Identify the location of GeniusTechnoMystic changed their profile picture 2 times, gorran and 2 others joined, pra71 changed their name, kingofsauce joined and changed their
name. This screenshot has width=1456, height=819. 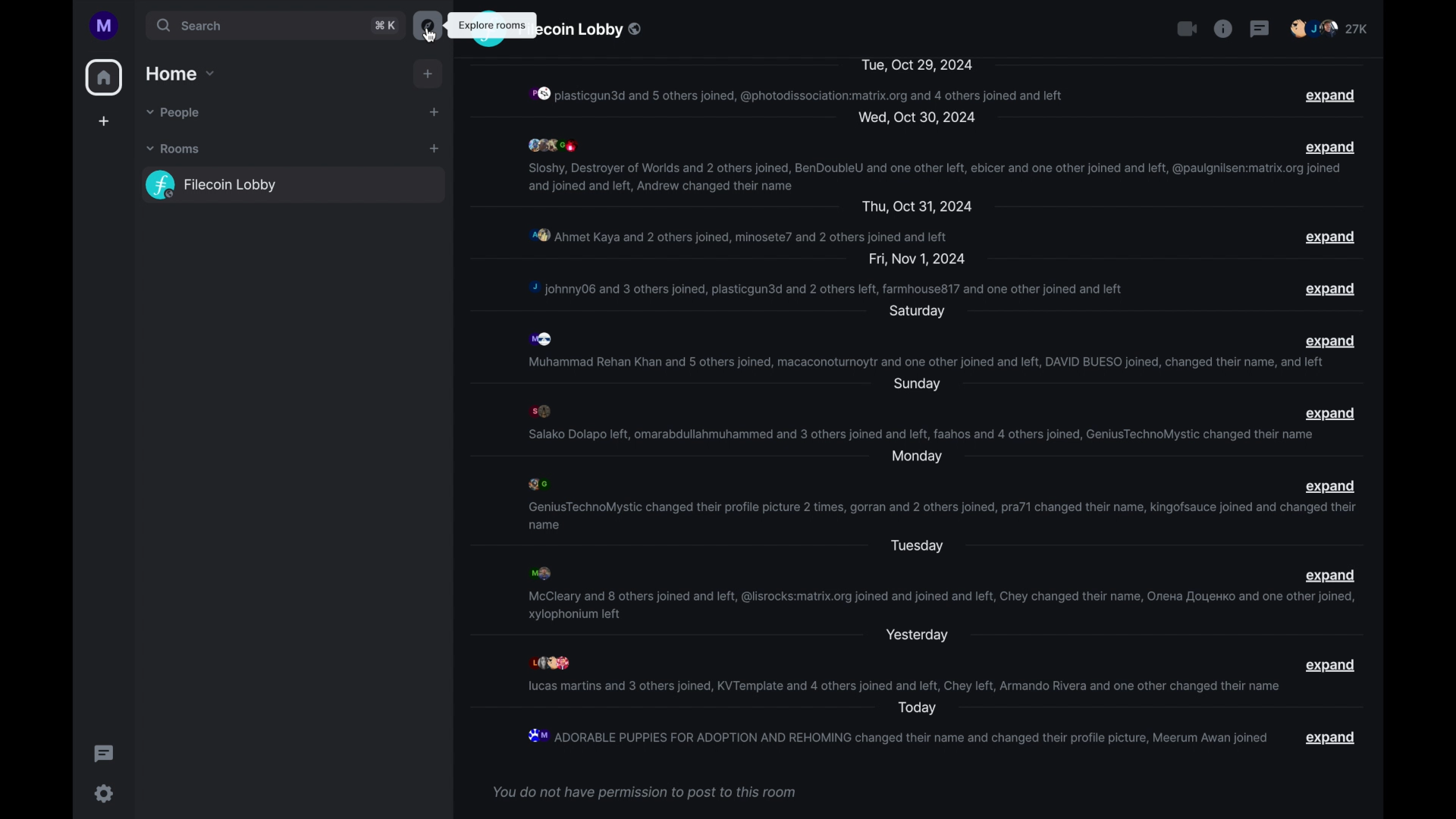
(939, 516).